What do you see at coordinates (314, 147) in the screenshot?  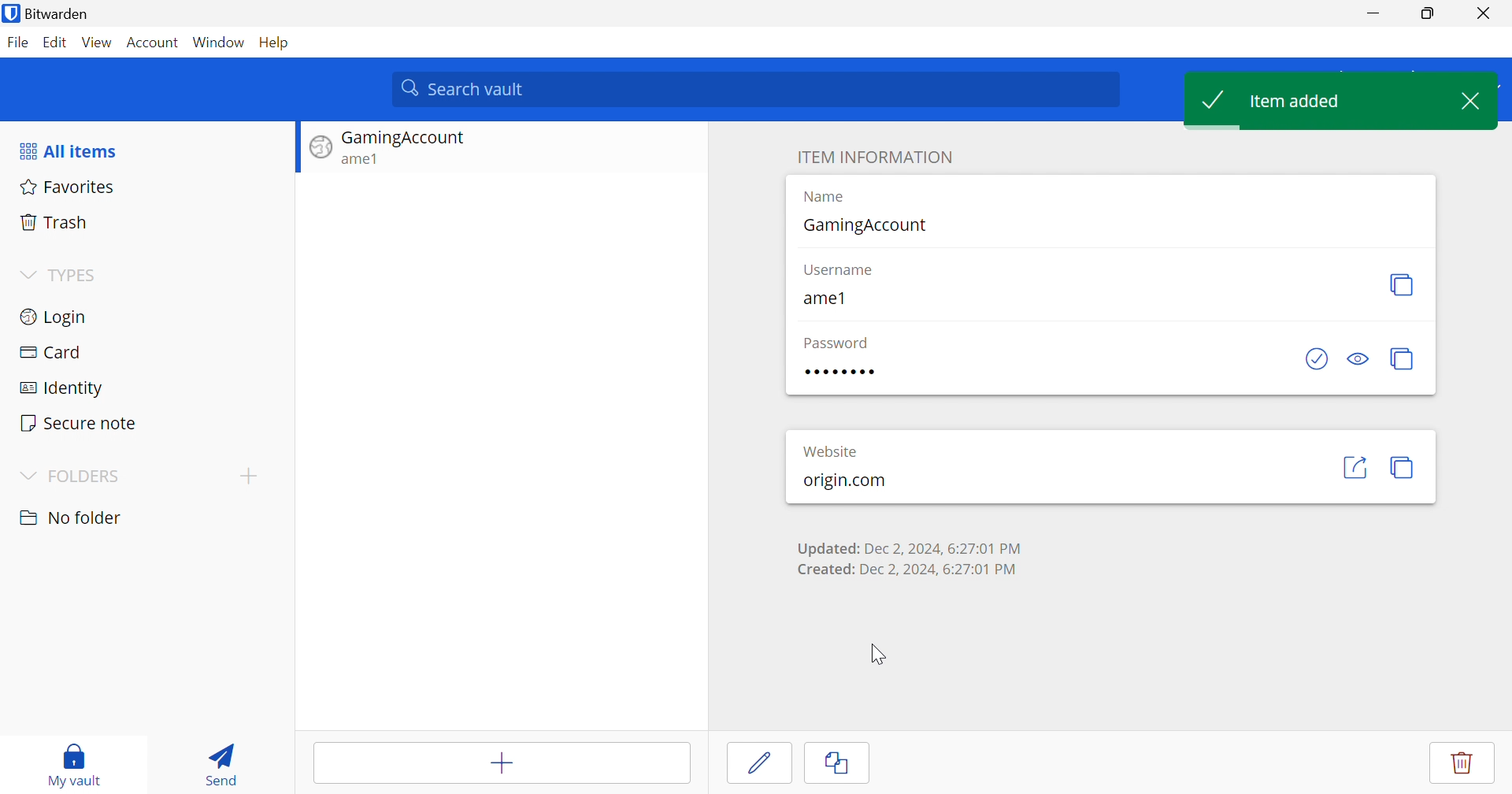 I see `Website logo` at bounding box center [314, 147].